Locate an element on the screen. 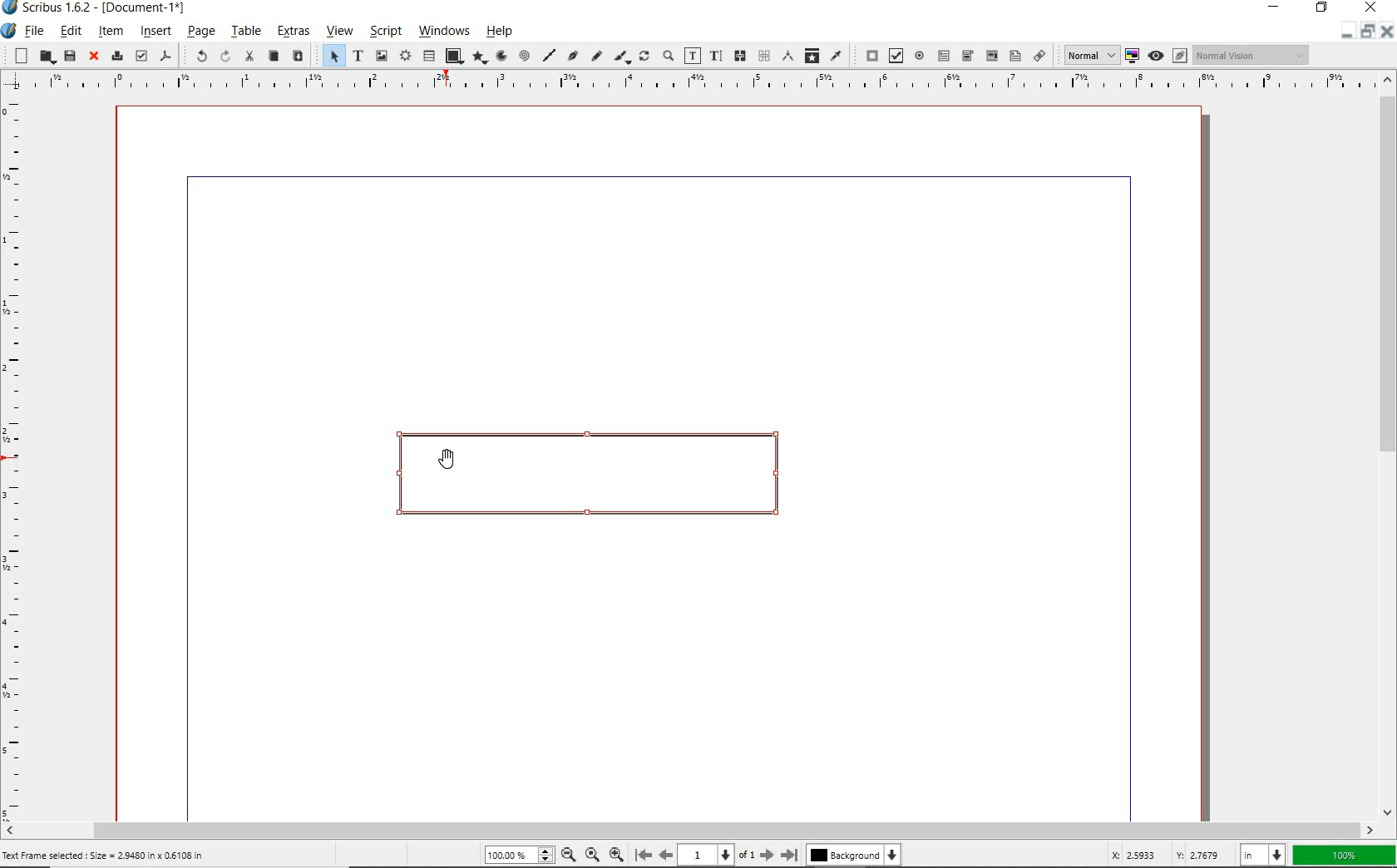  arc is located at coordinates (500, 57).